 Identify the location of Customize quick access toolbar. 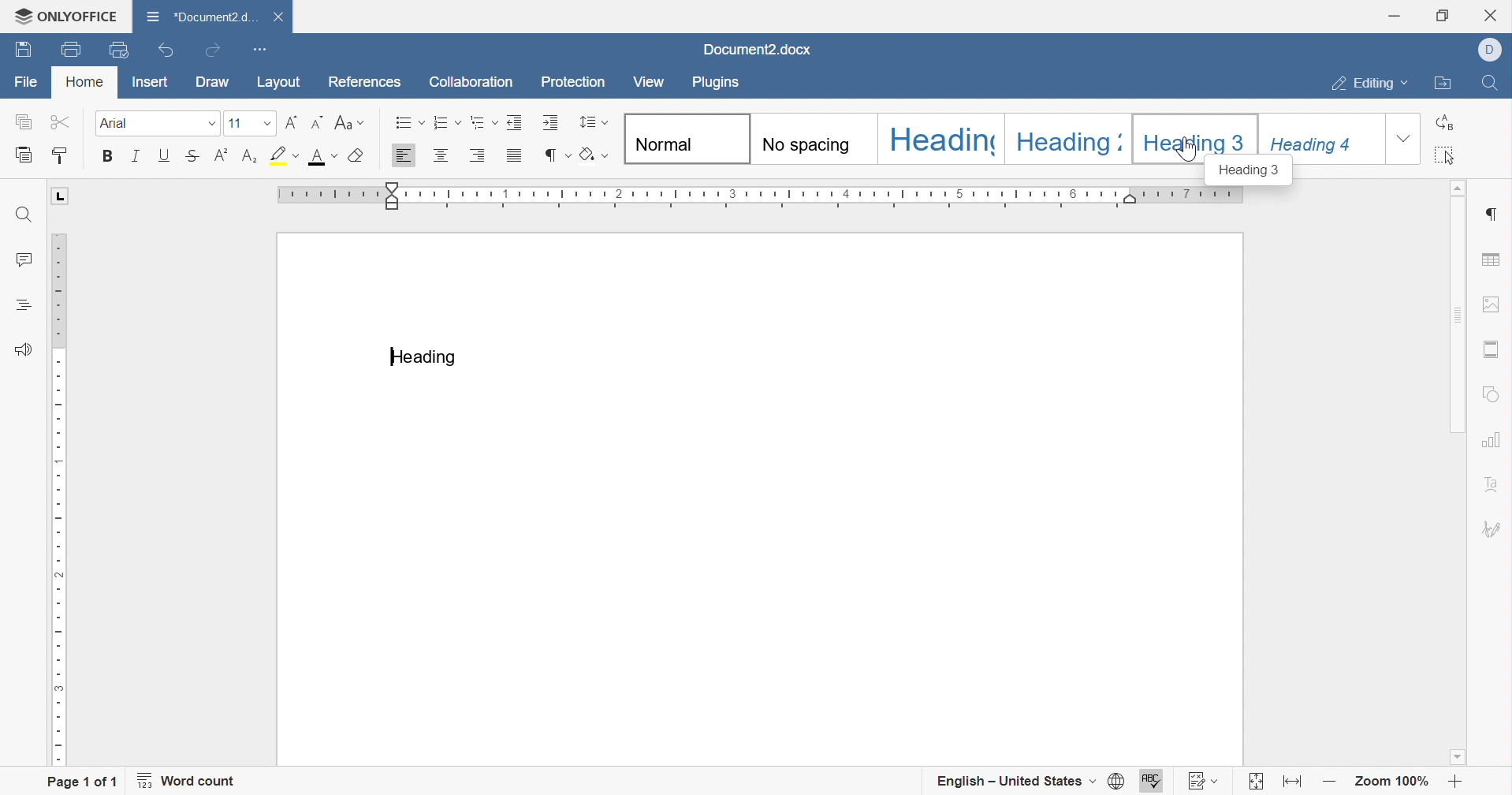
(263, 49).